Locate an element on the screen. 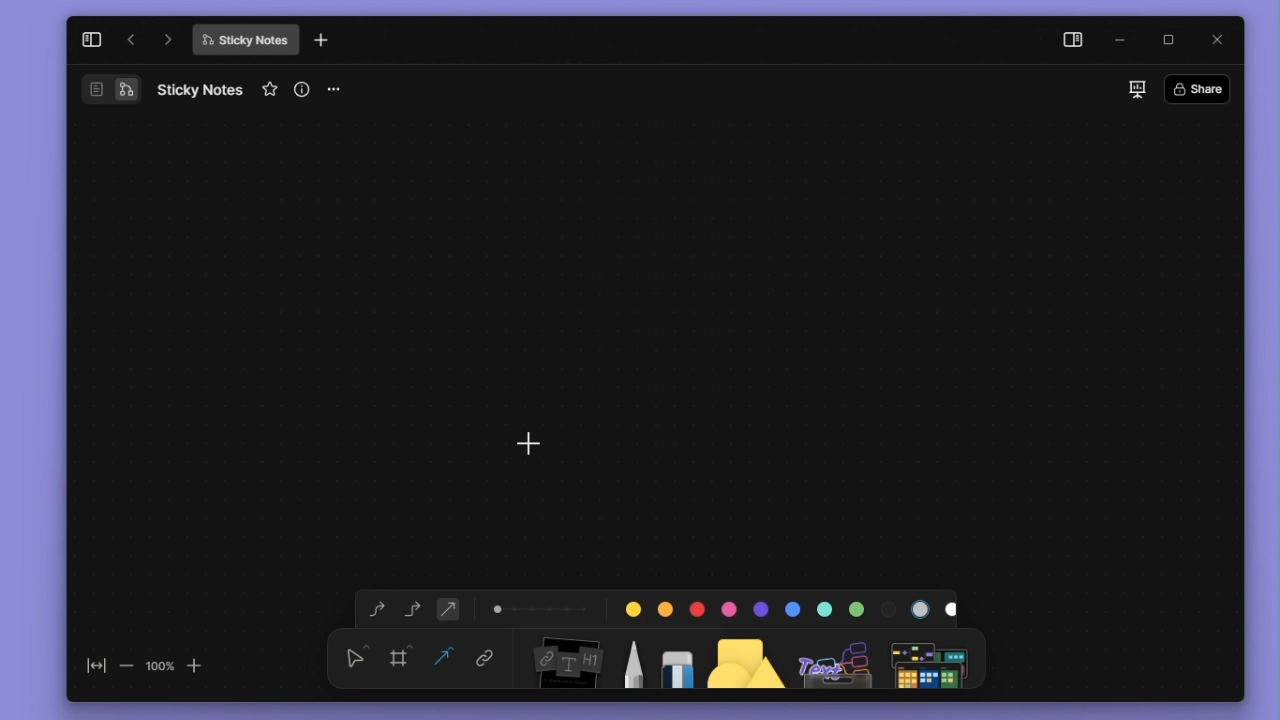 The width and height of the screenshot is (1280, 720). select is located at coordinates (356, 656).